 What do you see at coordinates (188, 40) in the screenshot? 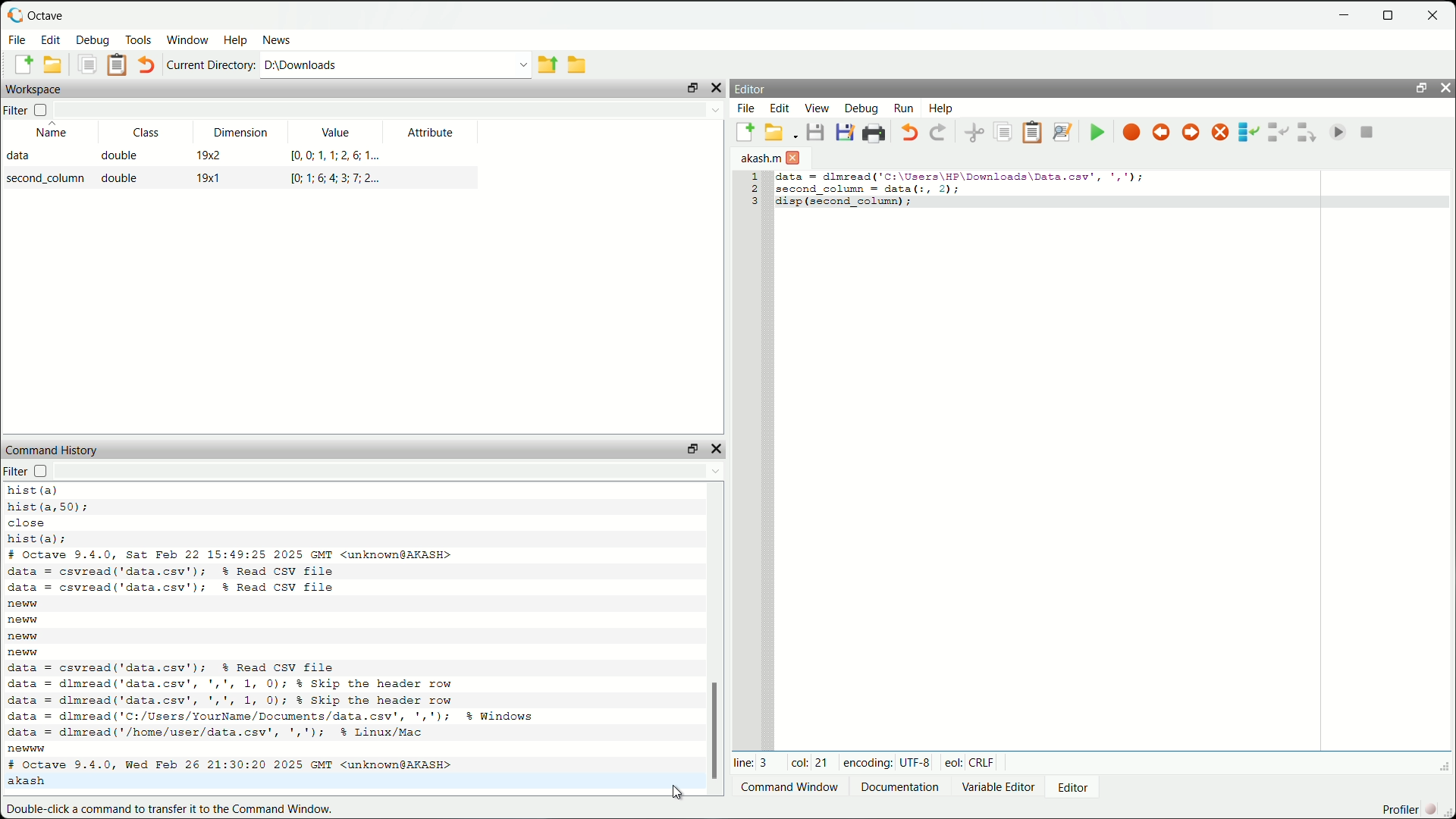
I see `window` at bounding box center [188, 40].